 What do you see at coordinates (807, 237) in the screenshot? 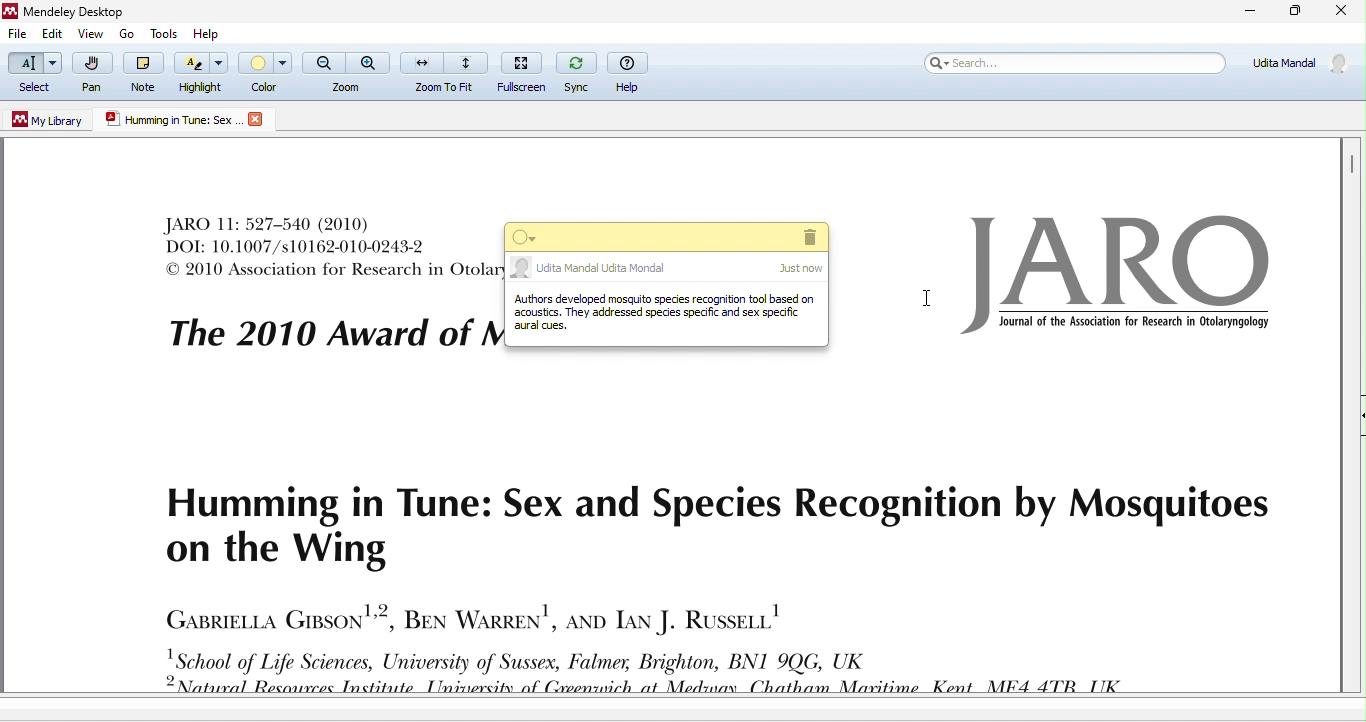
I see `delete` at bounding box center [807, 237].